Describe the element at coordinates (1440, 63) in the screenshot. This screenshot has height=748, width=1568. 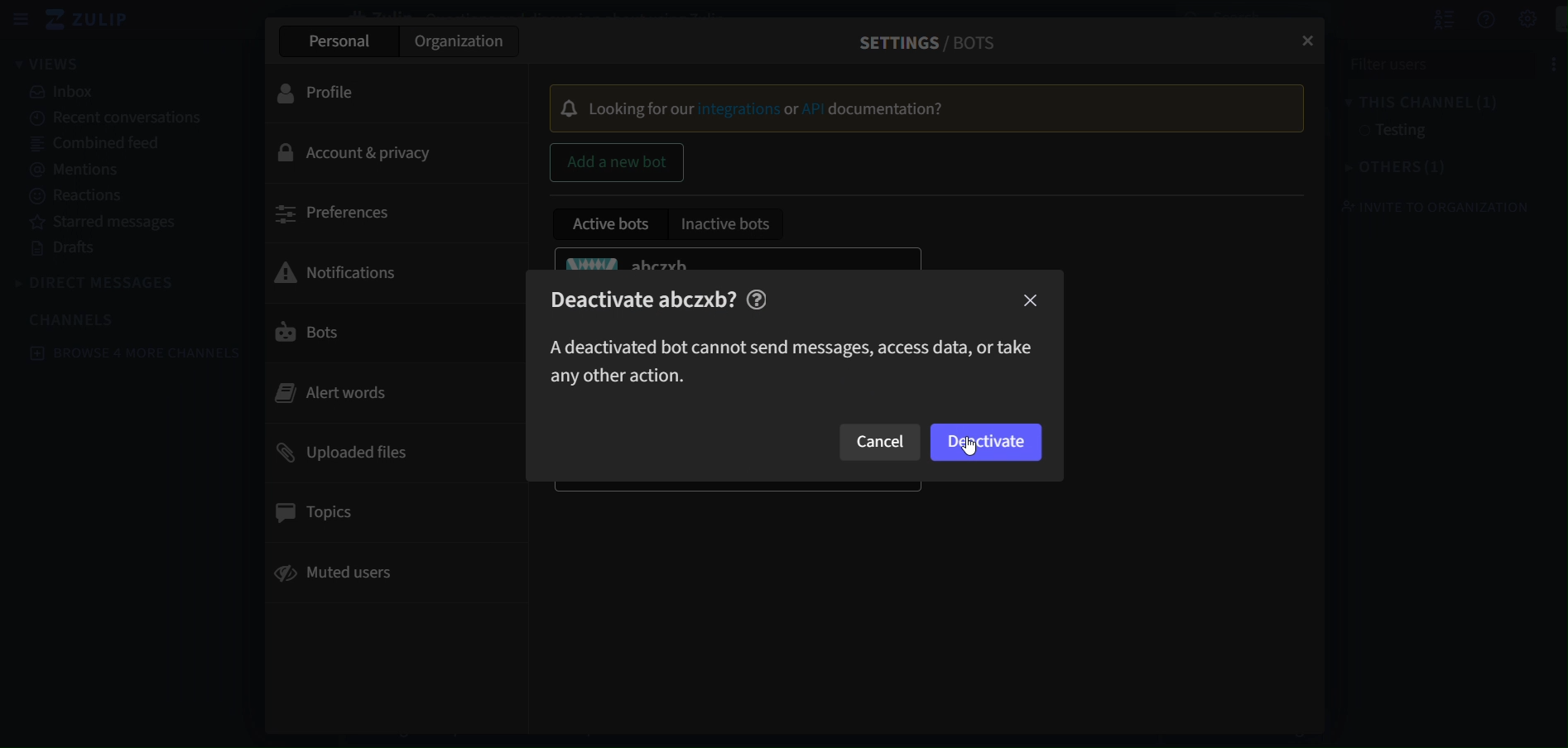
I see `filter users` at that location.